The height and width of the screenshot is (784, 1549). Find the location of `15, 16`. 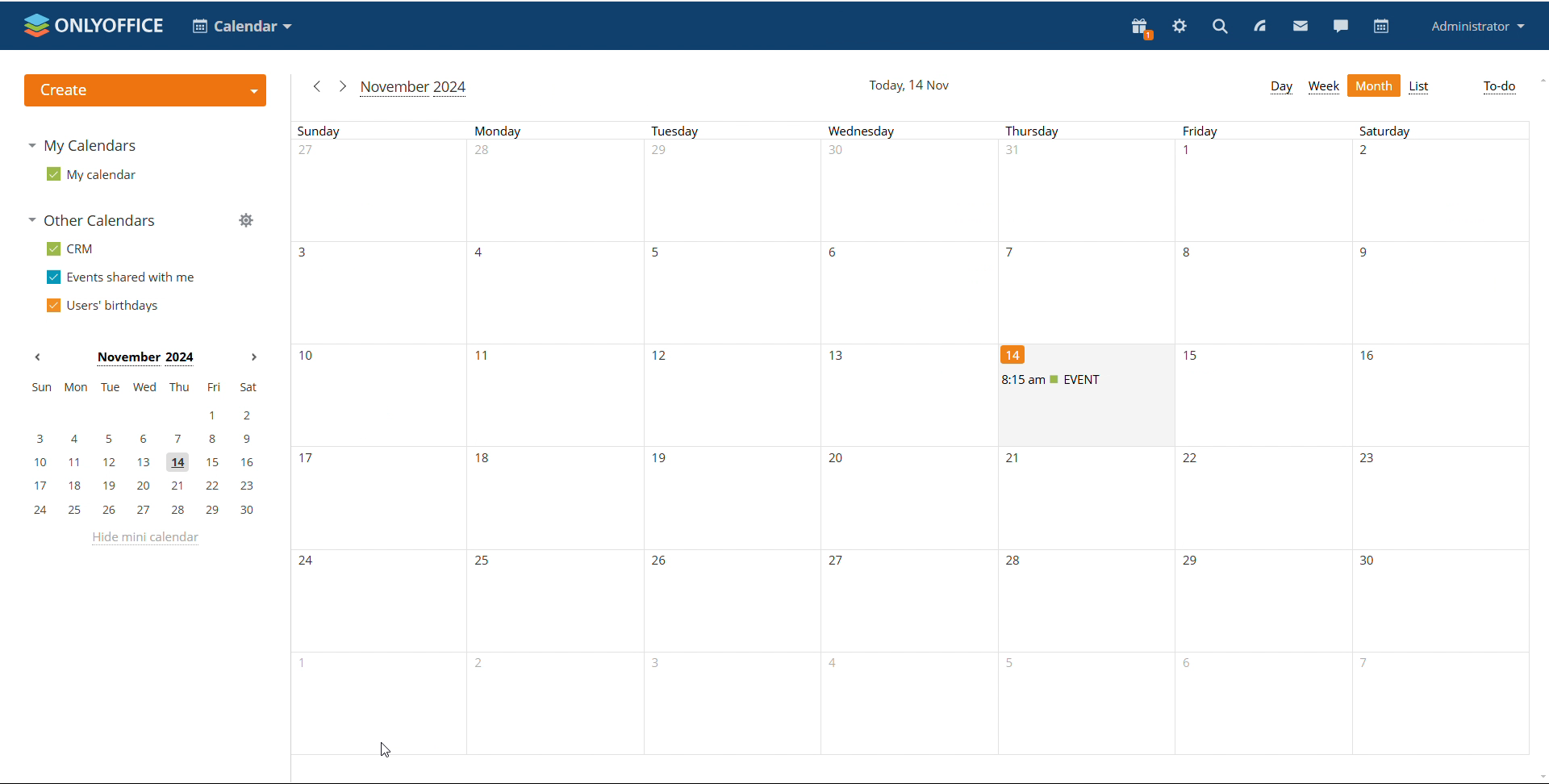

15, 16 is located at coordinates (1365, 394).